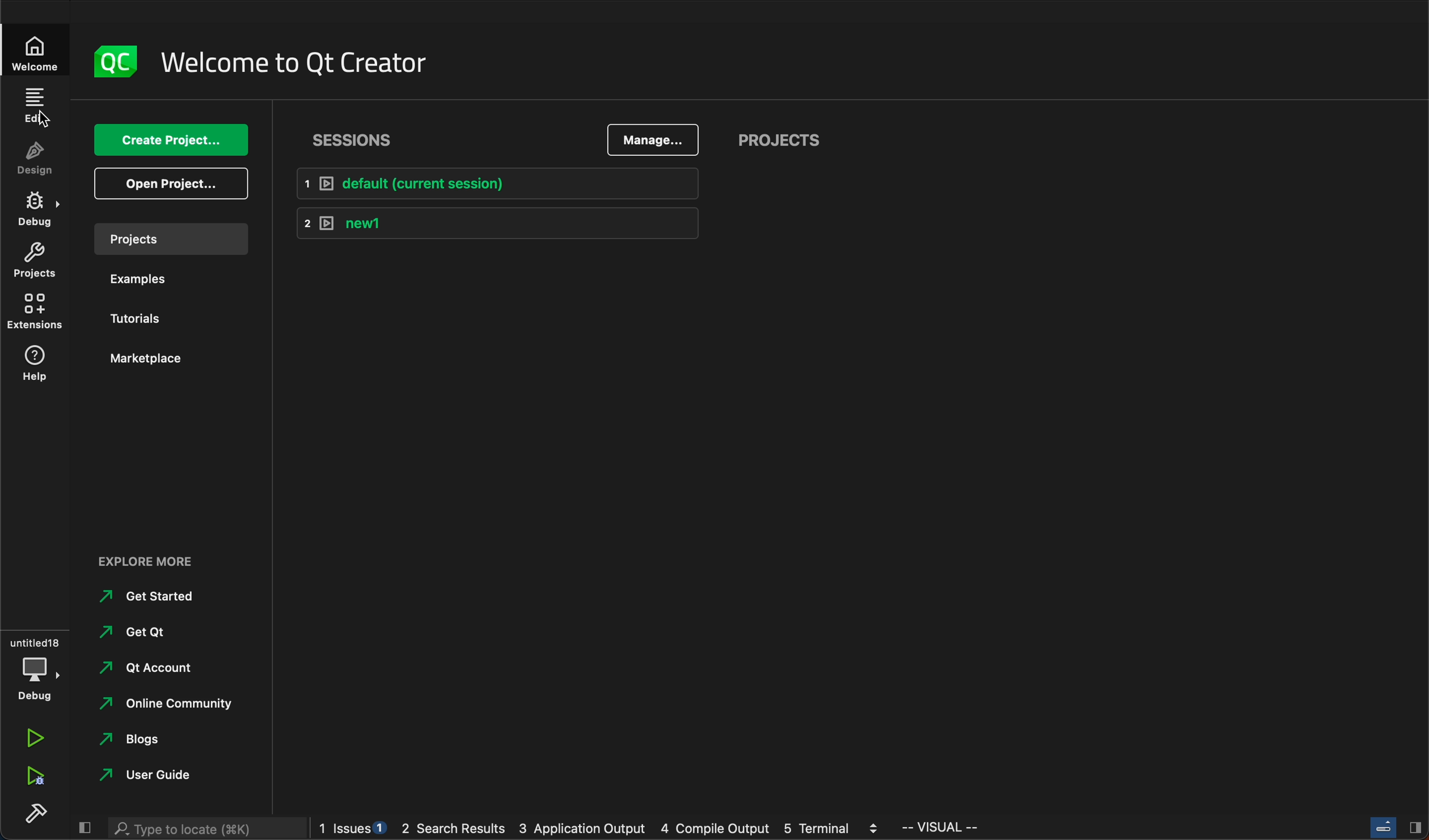 This screenshot has width=1429, height=840. What do you see at coordinates (170, 186) in the screenshot?
I see `open` at bounding box center [170, 186].